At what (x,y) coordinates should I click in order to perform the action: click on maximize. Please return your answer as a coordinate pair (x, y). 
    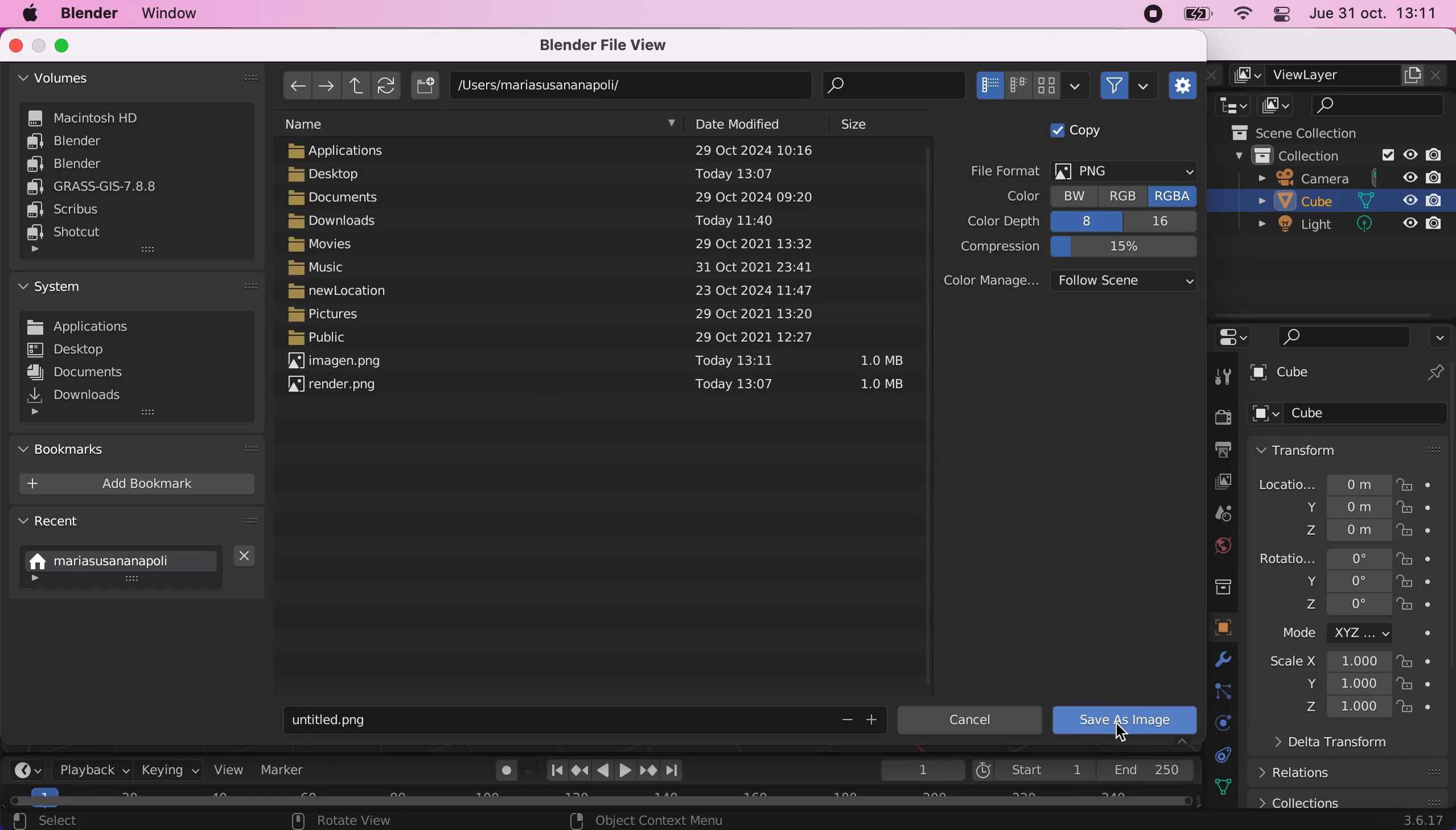
    Looking at the image, I should click on (67, 46).